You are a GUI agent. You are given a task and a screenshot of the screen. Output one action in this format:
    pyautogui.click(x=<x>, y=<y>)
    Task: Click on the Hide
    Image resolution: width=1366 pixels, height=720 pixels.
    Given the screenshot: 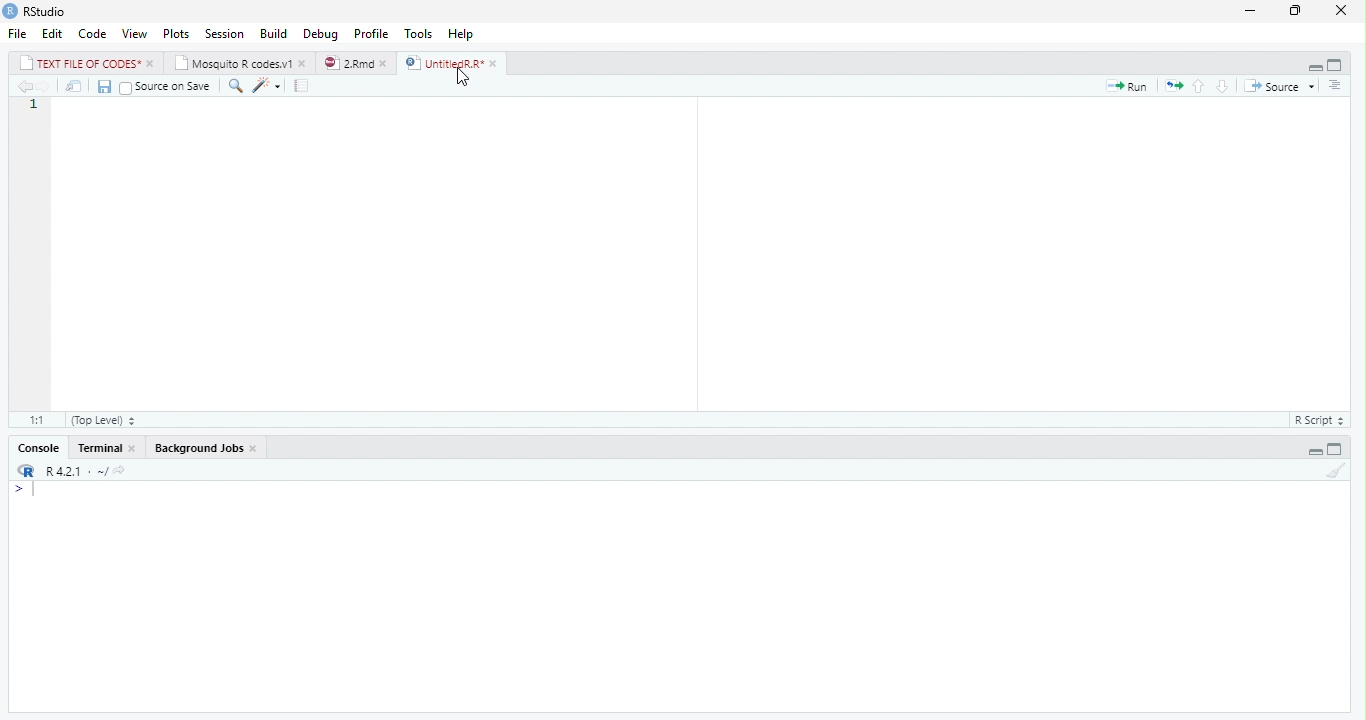 What is the action you would take?
    pyautogui.click(x=1314, y=449)
    